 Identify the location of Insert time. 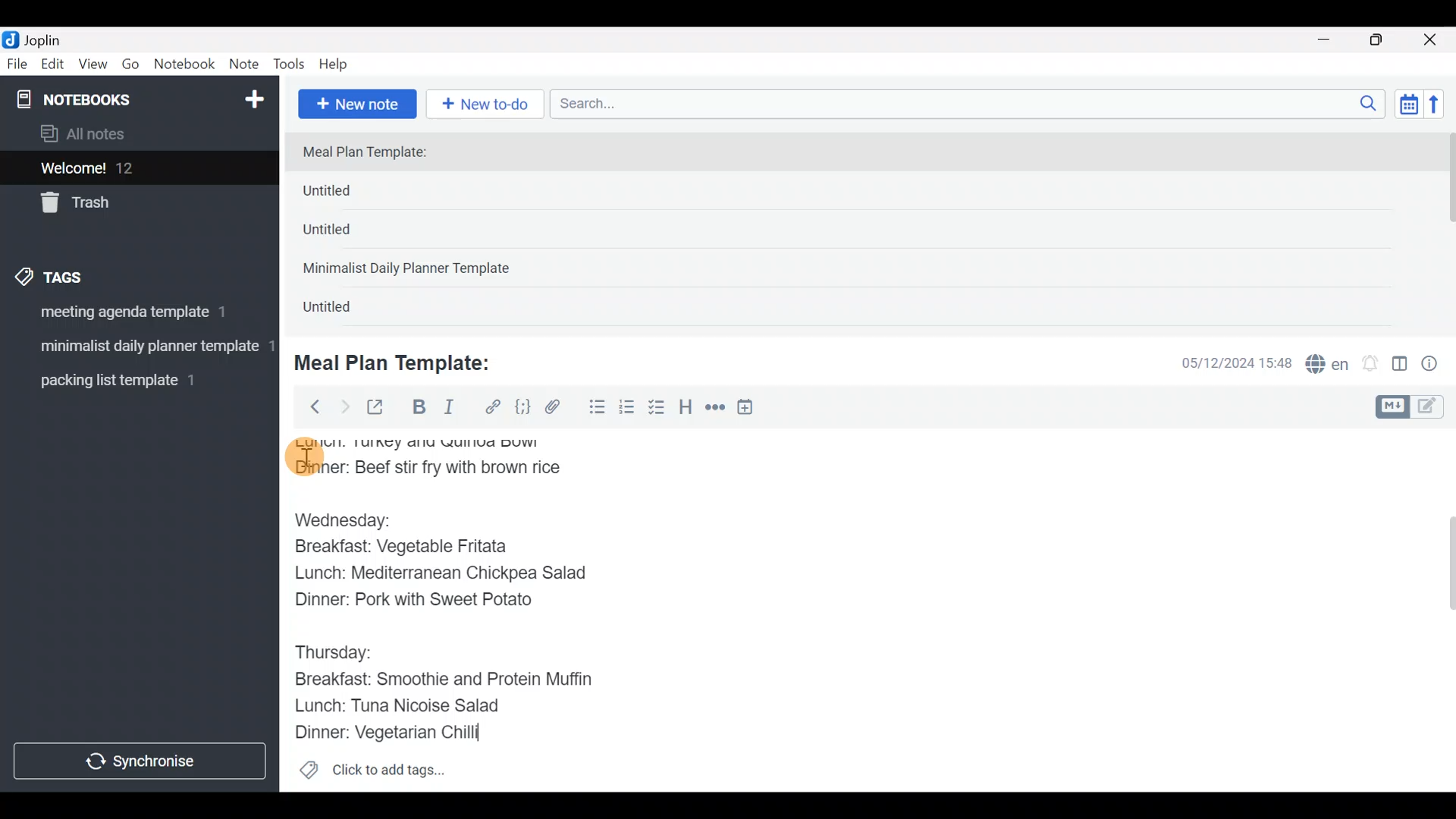
(752, 409).